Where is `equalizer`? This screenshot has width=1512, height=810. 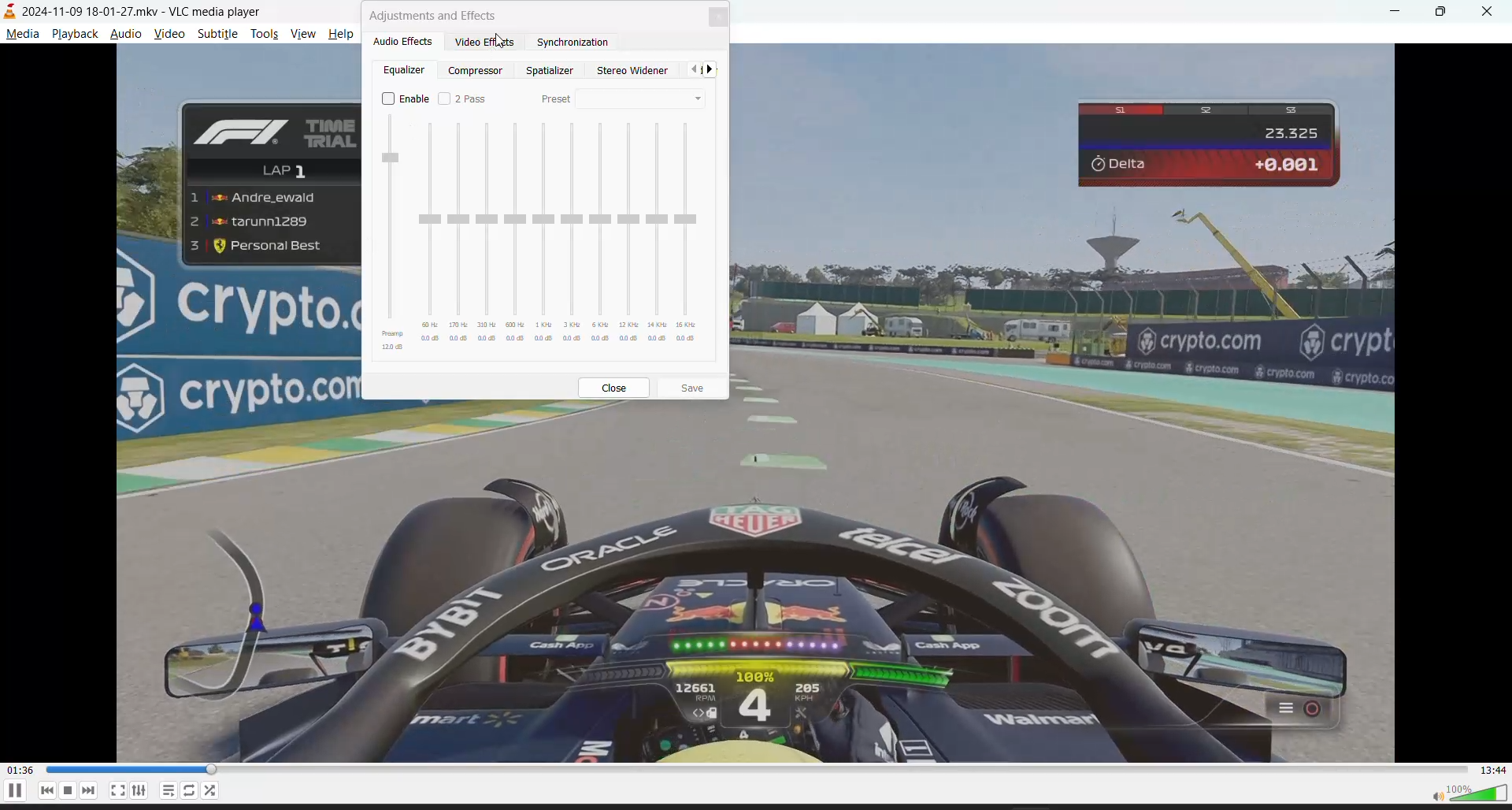
equalizer is located at coordinates (407, 69).